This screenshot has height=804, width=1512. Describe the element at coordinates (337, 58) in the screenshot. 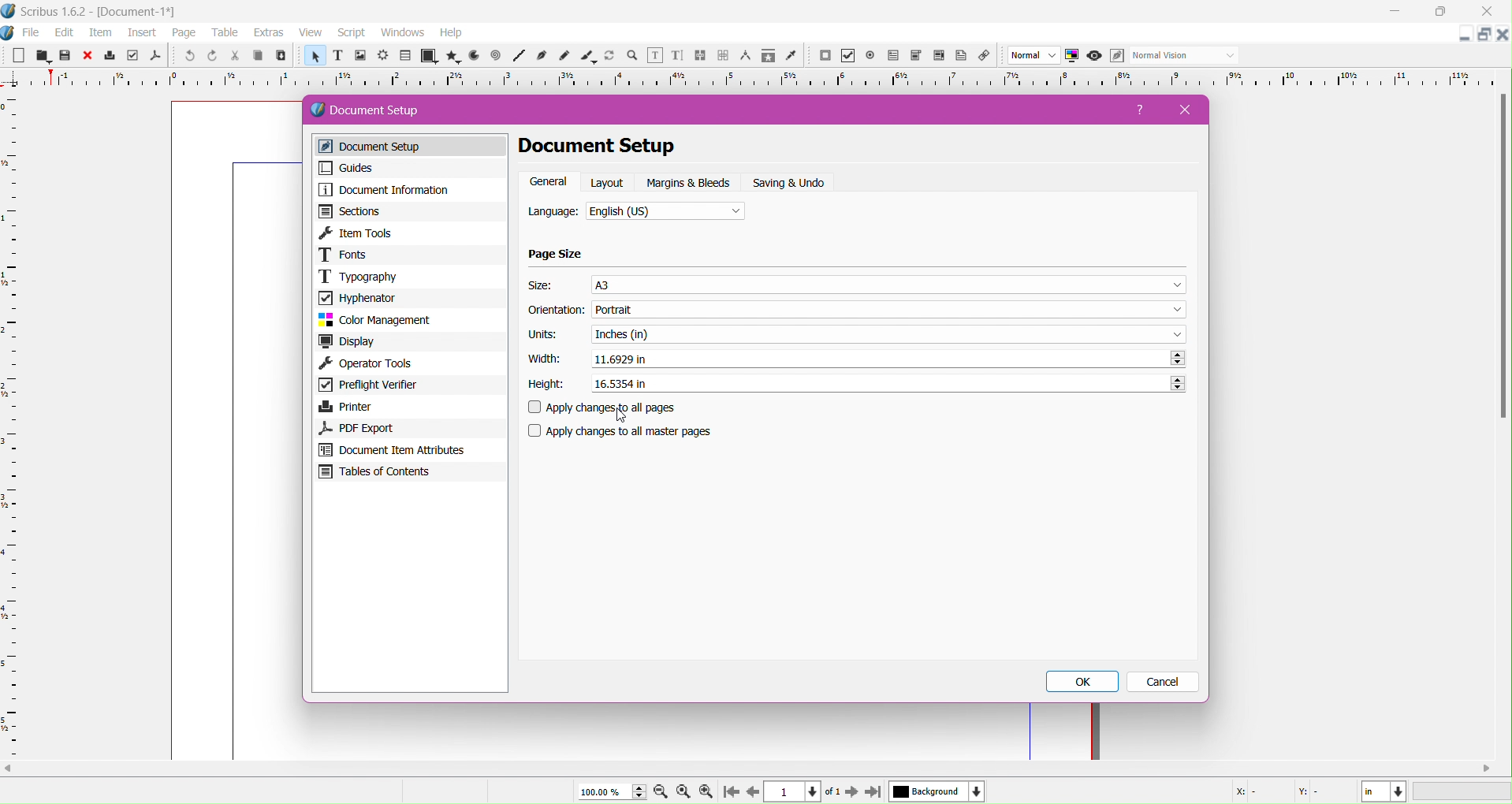

I see `text frame` at that location.